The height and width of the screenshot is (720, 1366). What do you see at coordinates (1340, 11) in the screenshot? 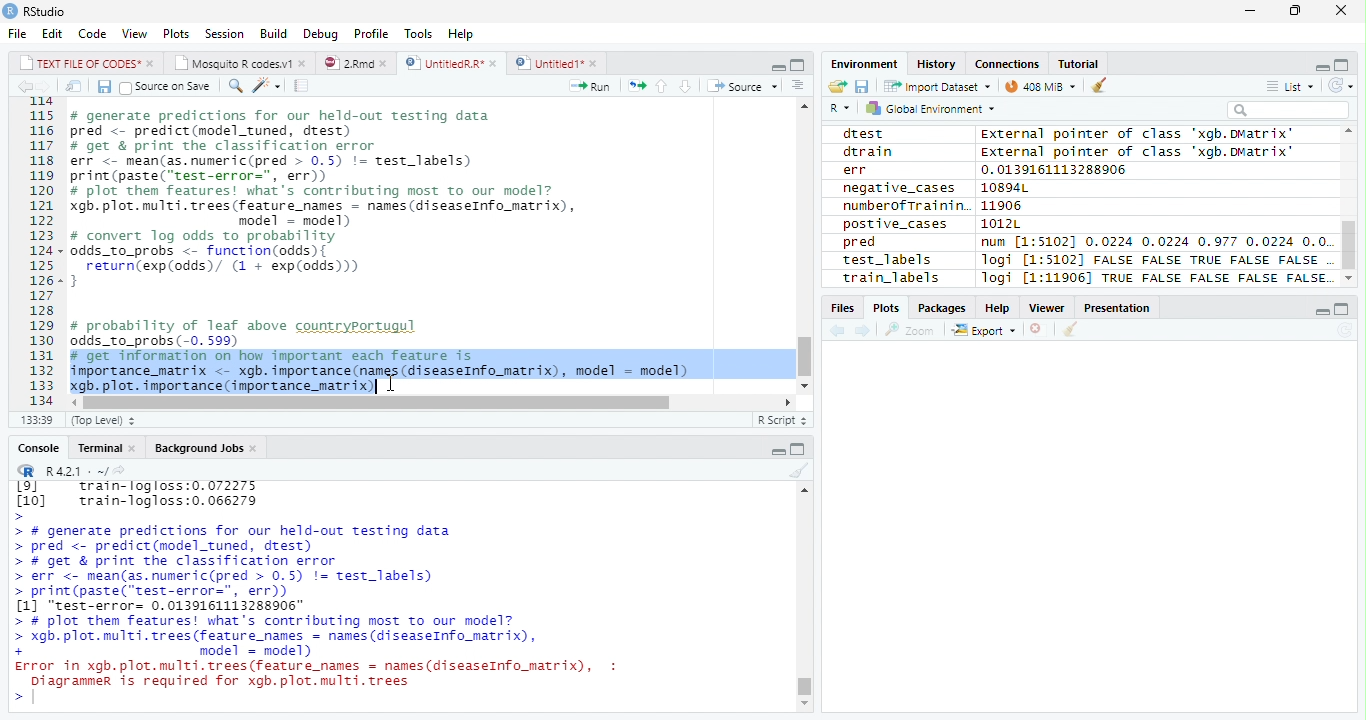
I see `Close` at bounding box center [1340, 11].